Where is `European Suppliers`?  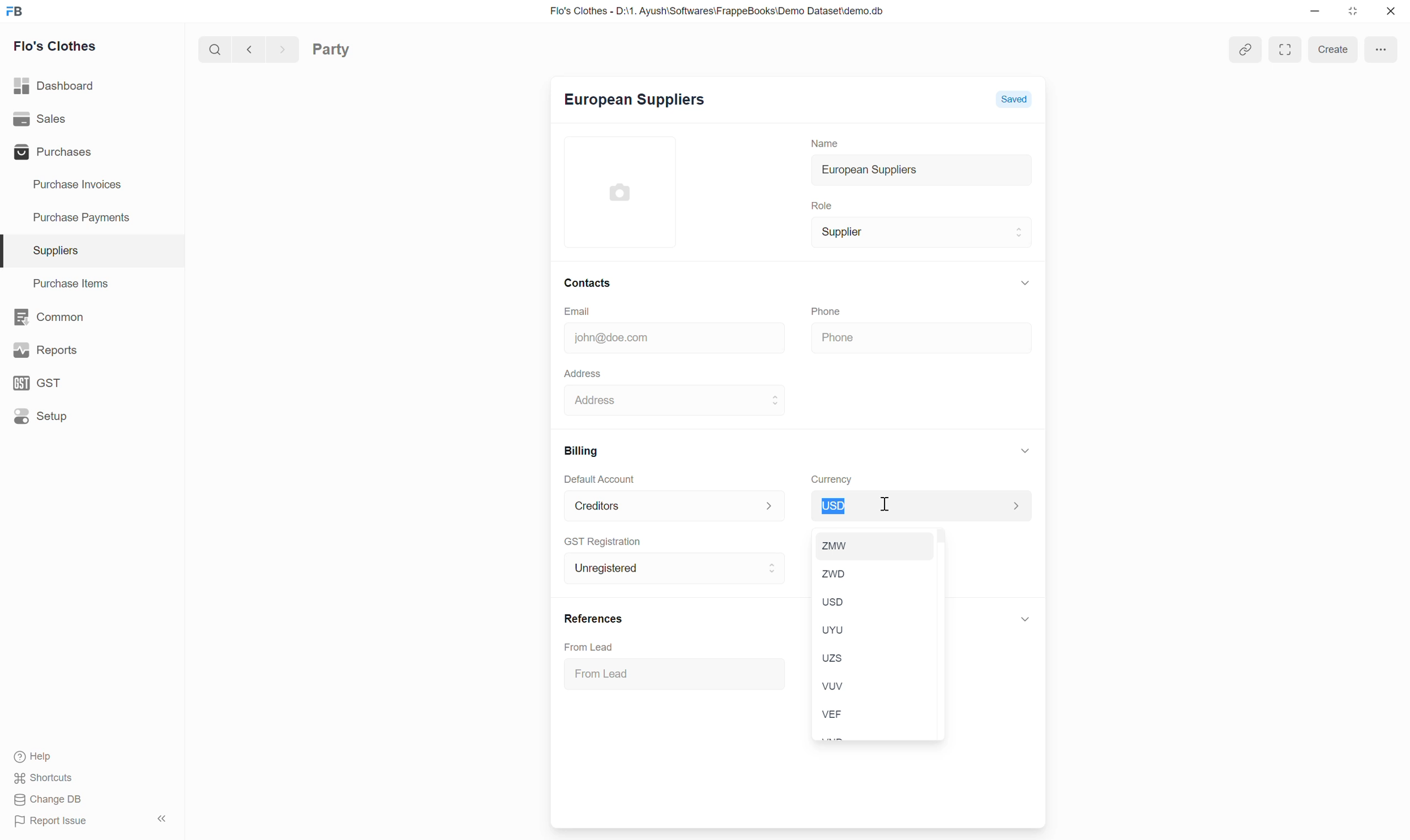 European Suppliers is located at coordinates (860, 169).